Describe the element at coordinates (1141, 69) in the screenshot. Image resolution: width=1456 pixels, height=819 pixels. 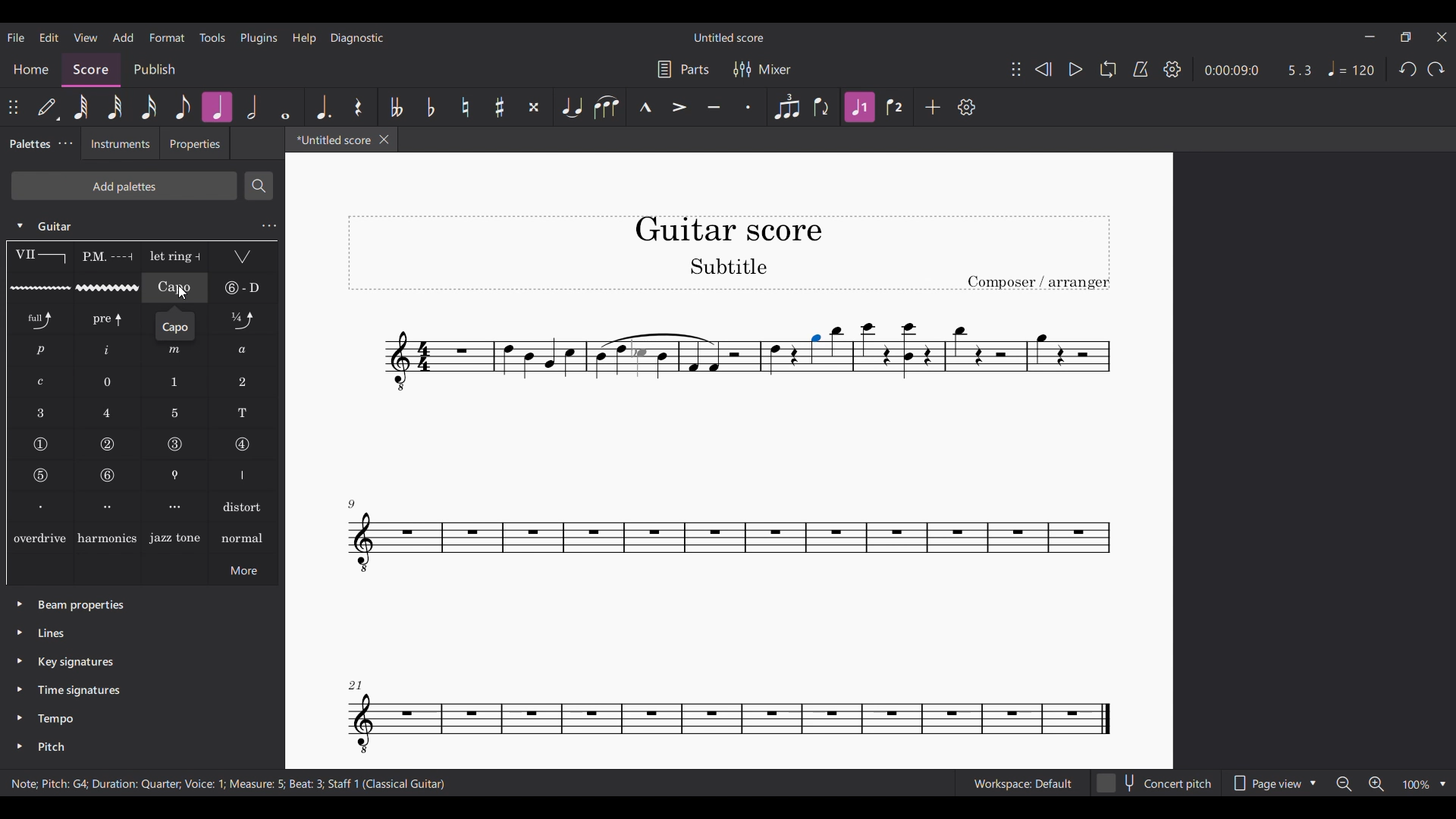
I see `Metronome` at that location.